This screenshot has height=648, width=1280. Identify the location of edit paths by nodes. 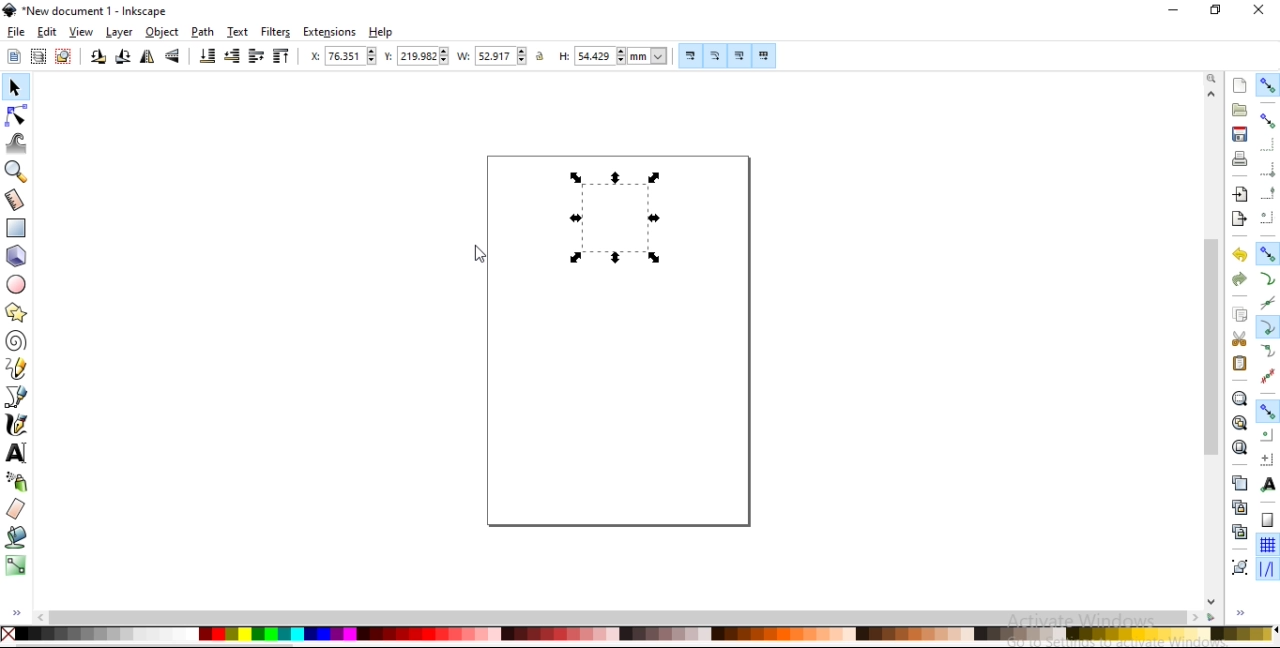
(19, 116).